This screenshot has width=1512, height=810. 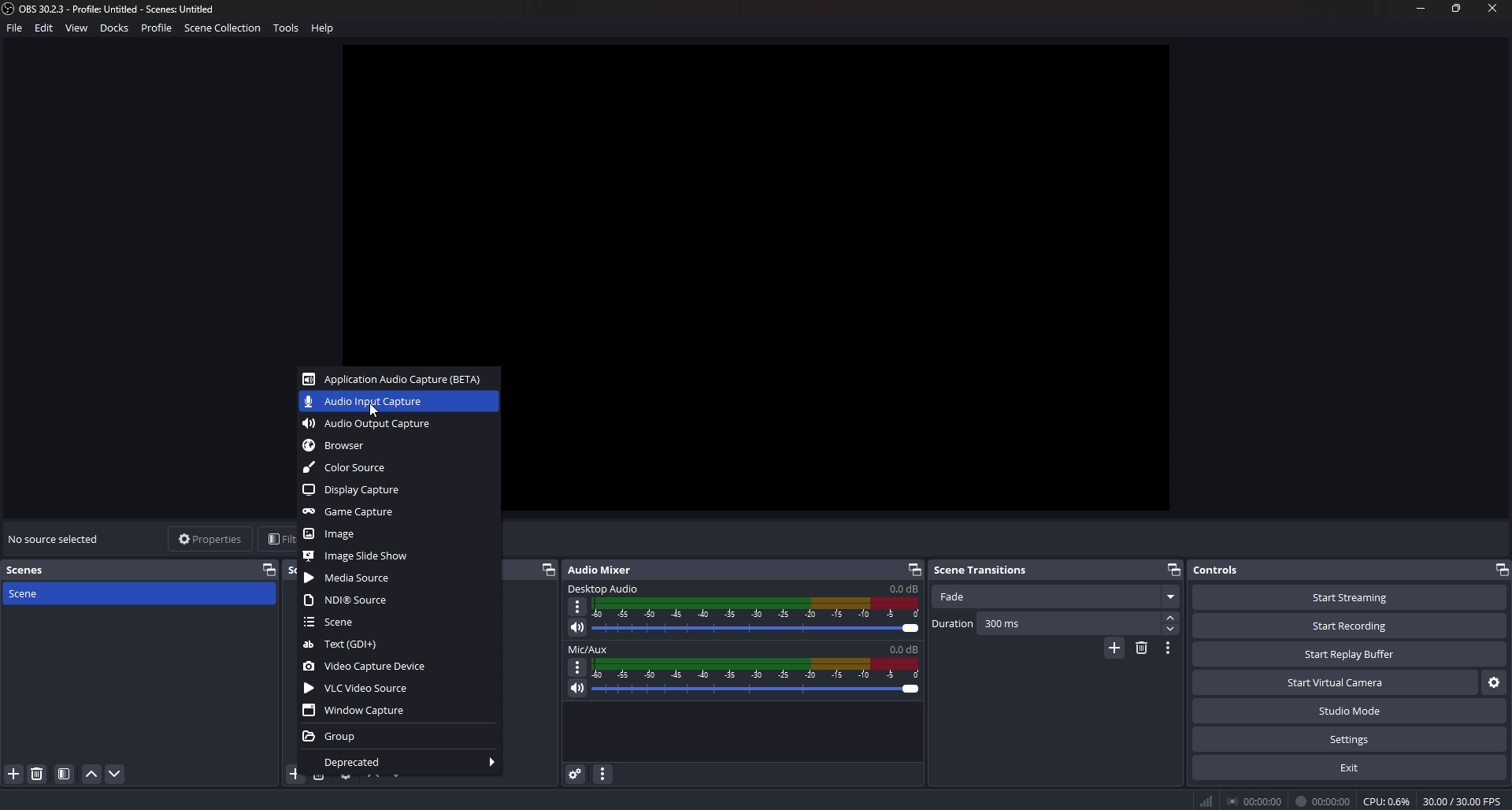 What do you see at coordinates (269, 569) in the screenshot?
I see `pop out` at bounding box center [269, 569].